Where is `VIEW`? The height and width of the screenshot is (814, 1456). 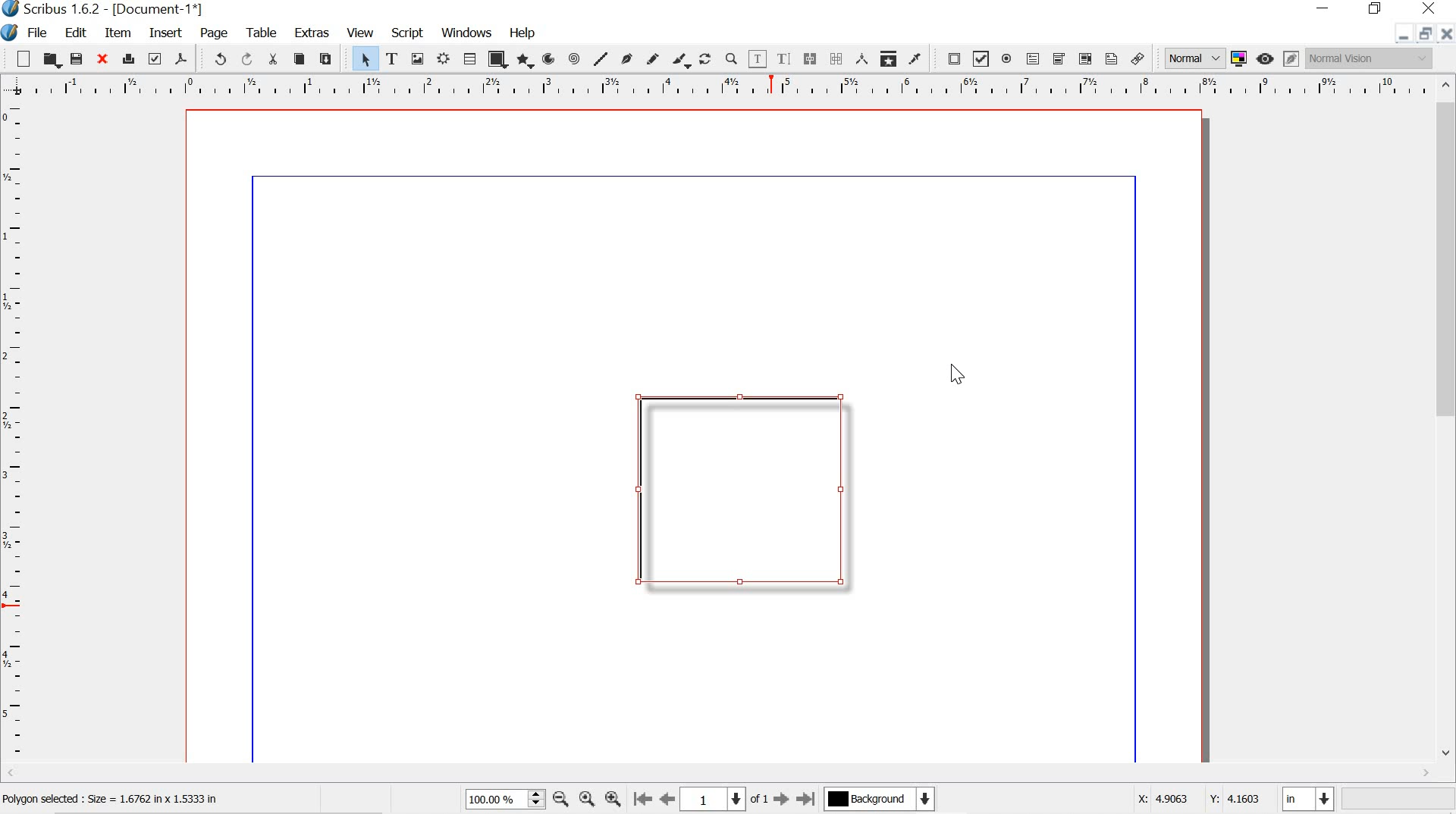 VIEW is located at coordinates (359, 33).